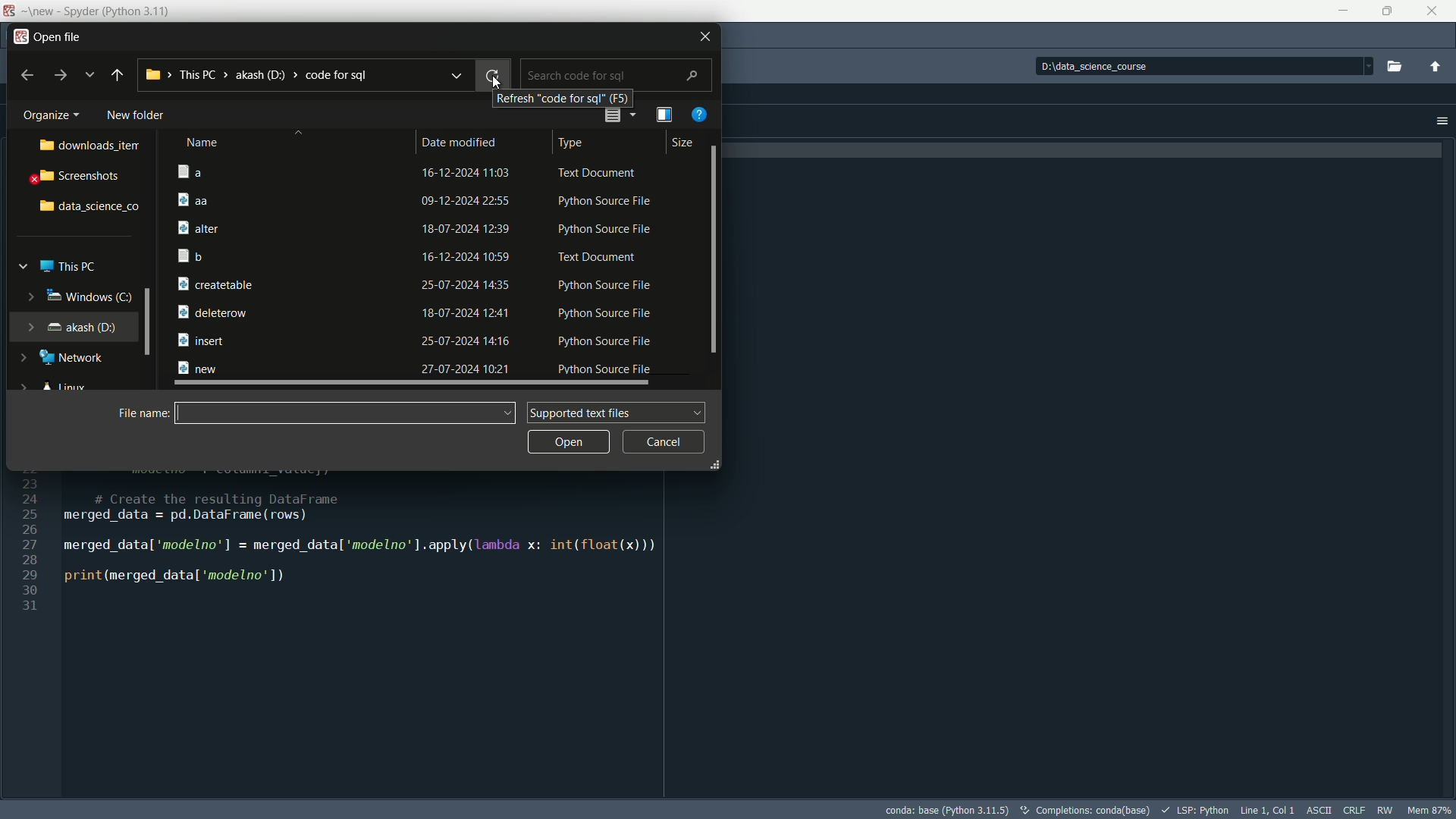 This screenshot has height=819, width=1456. I want to click on conda (base), so click(1086, 810).